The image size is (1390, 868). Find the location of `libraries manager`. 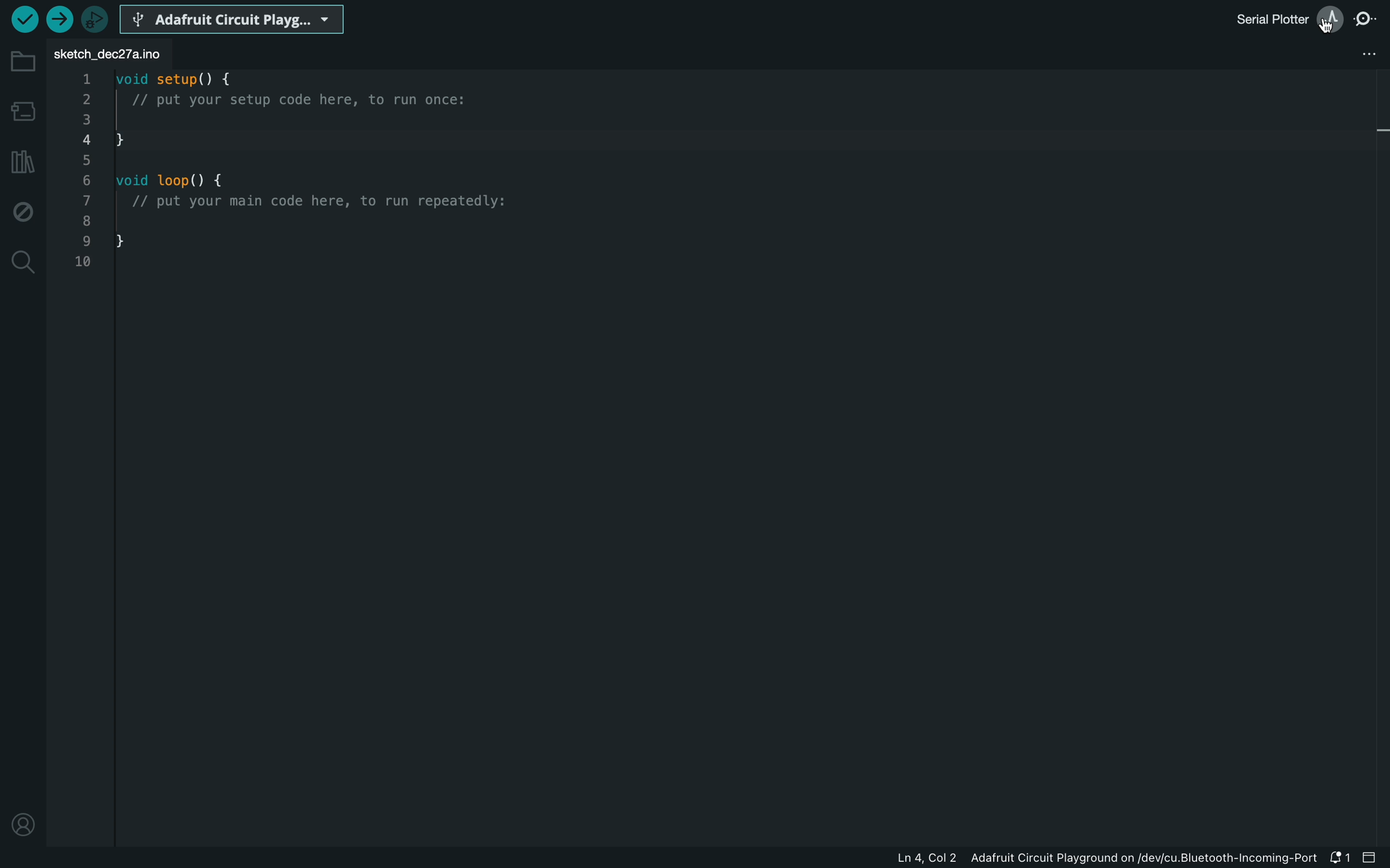

libraries manager is located at coordinates (22, 160).